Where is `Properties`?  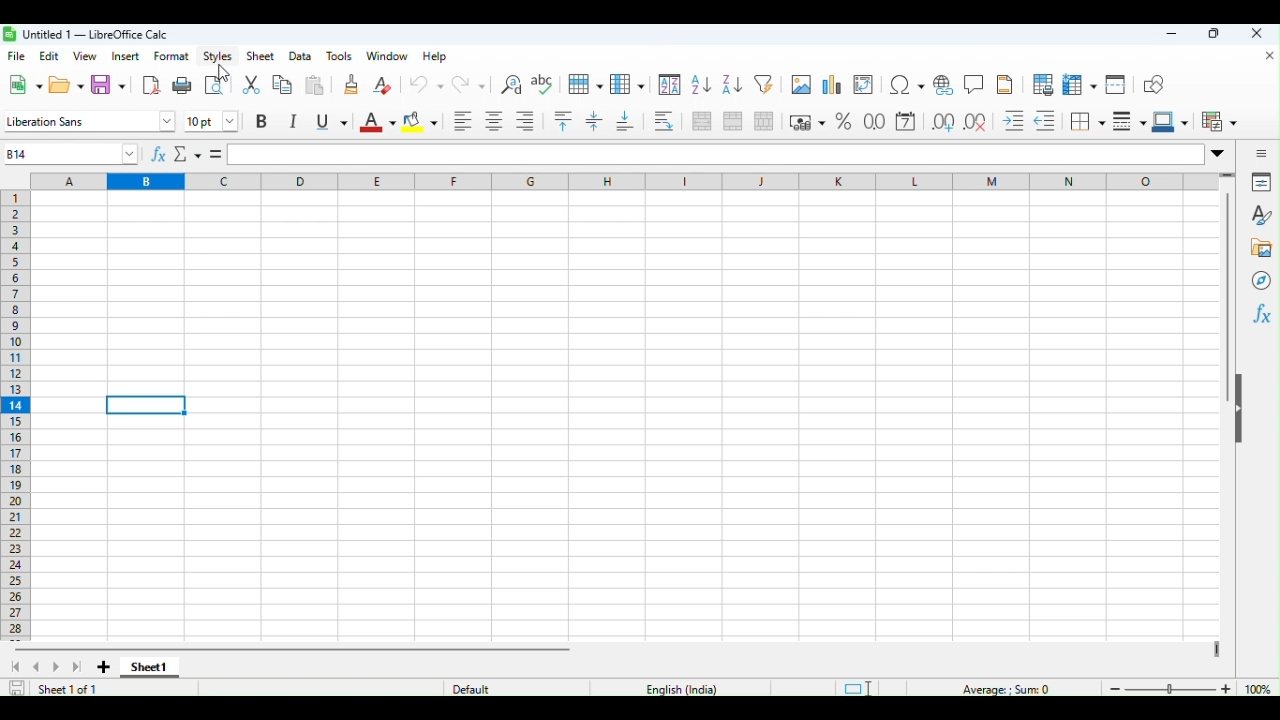 Properties is located at coordinates (1265, 182).